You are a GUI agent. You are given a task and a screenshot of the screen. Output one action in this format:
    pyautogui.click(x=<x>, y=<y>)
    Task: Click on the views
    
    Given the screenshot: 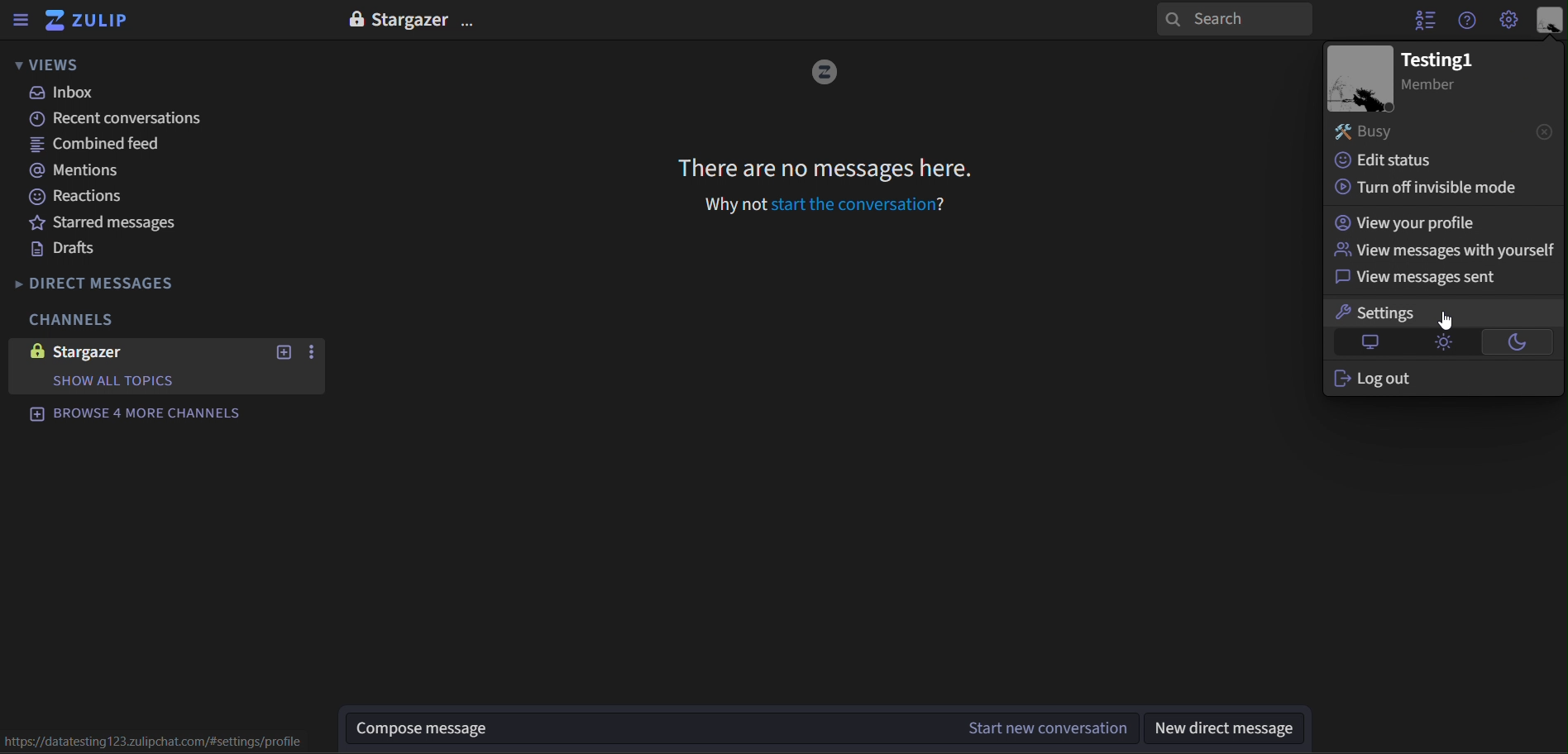 What is the action you would take?
    pyautogui.click(x=48, y=64)
    